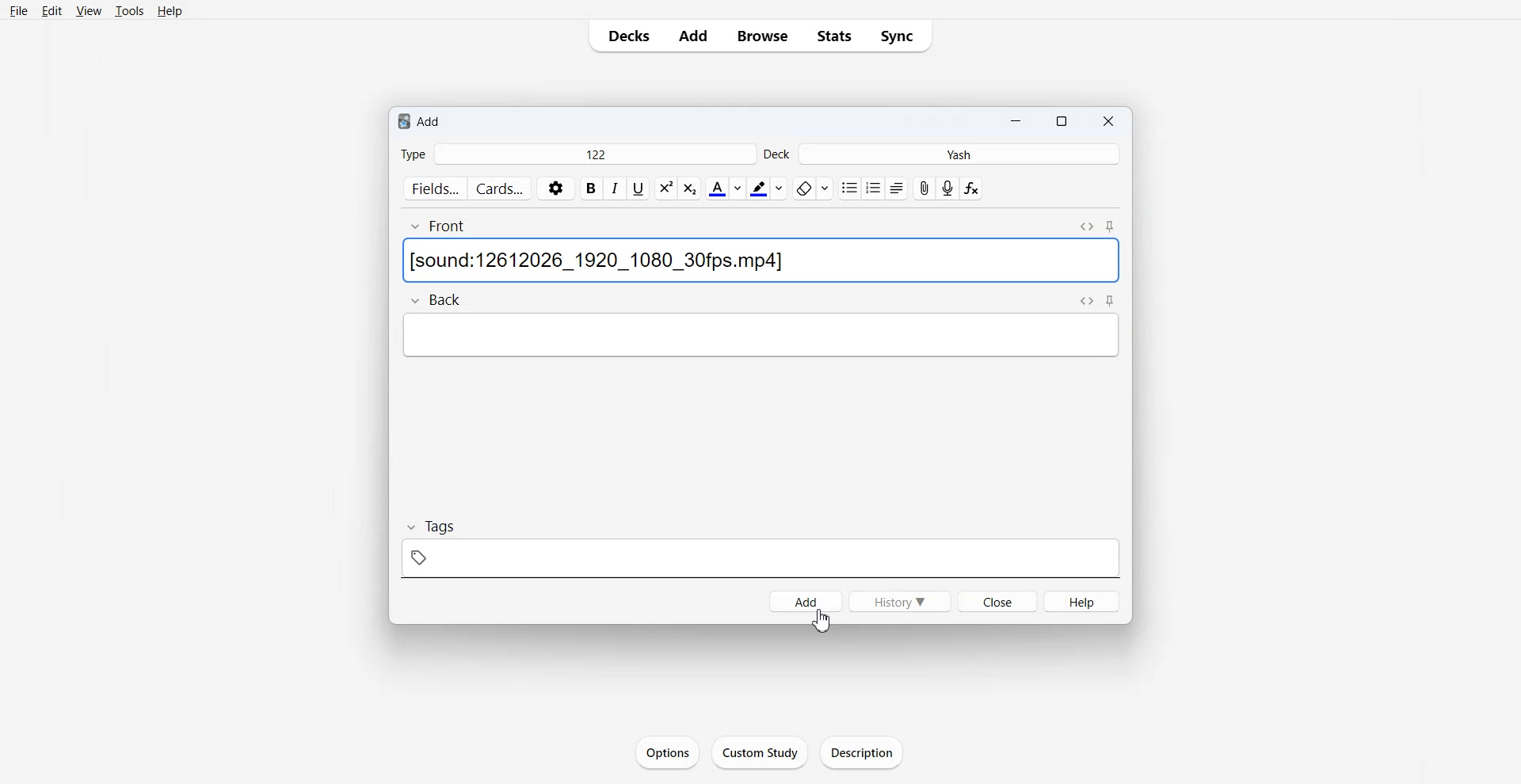 Image resolution: width=1521 pixels, height=784 pixels. I want to click on Italic, so click(616, 188).